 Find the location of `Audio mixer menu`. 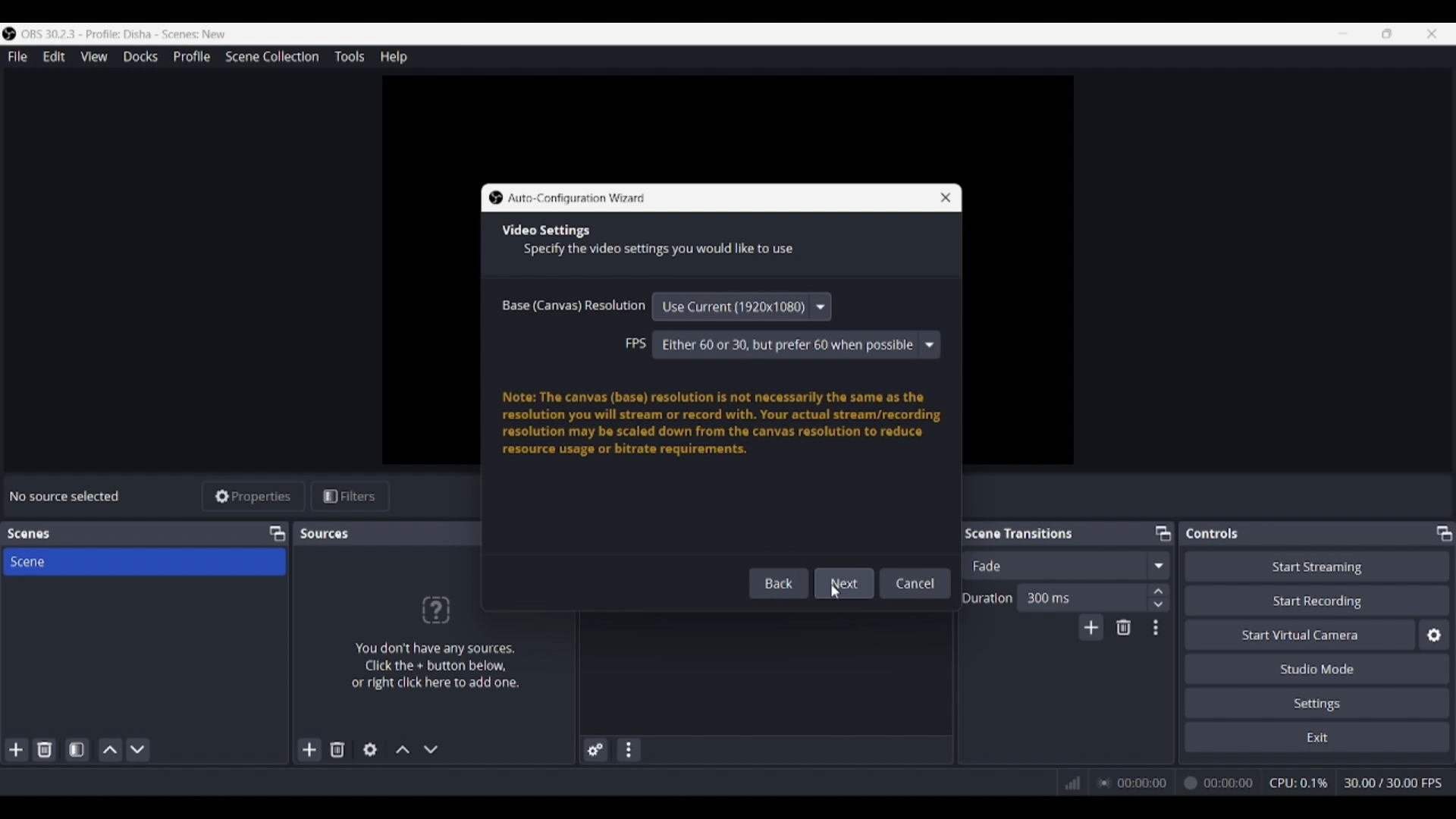

Audio mixer menu is located at coordinates (628, 750).